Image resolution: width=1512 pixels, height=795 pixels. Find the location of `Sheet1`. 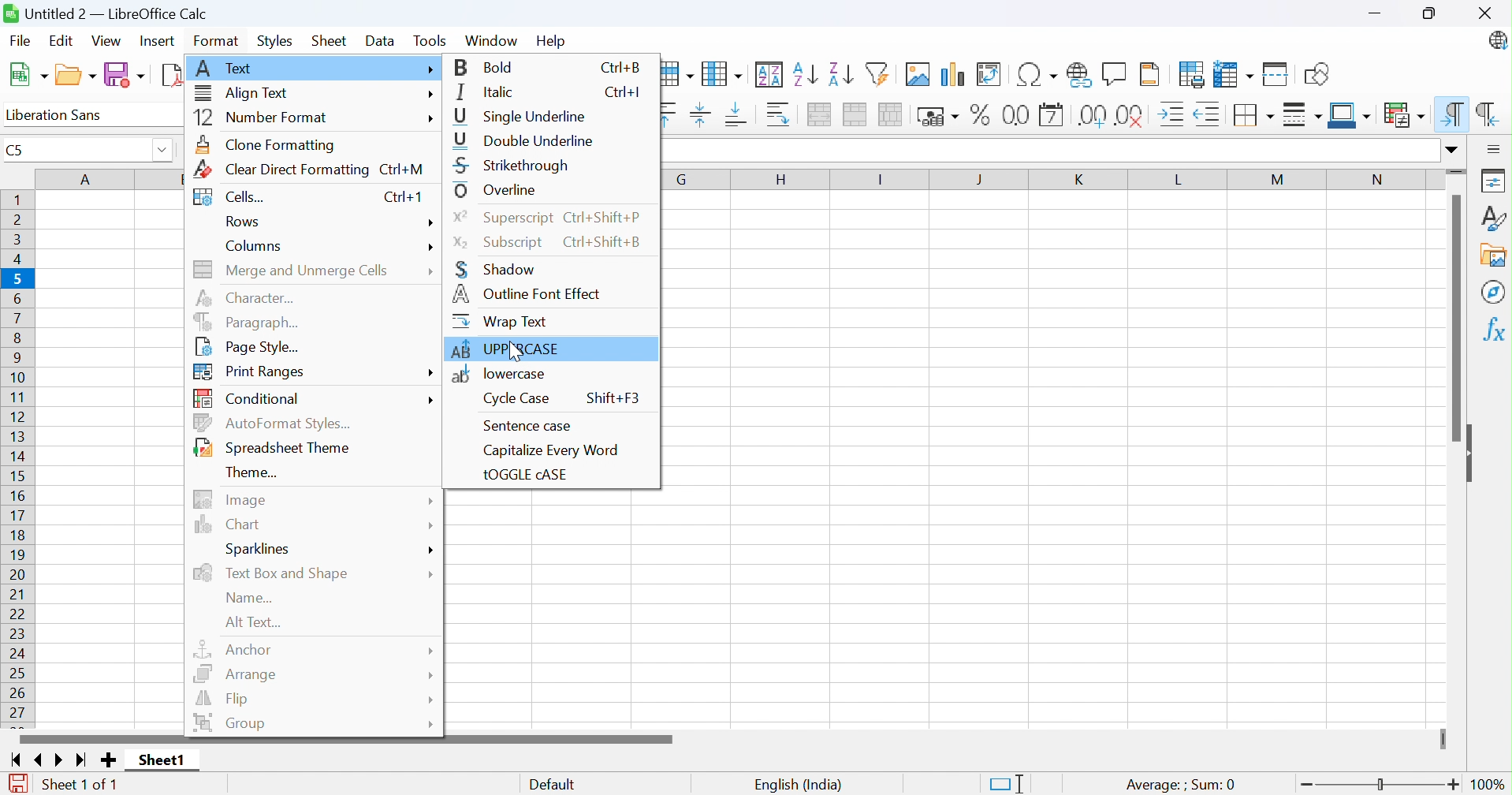

Sheet1 is located at coordinates (162, 762).